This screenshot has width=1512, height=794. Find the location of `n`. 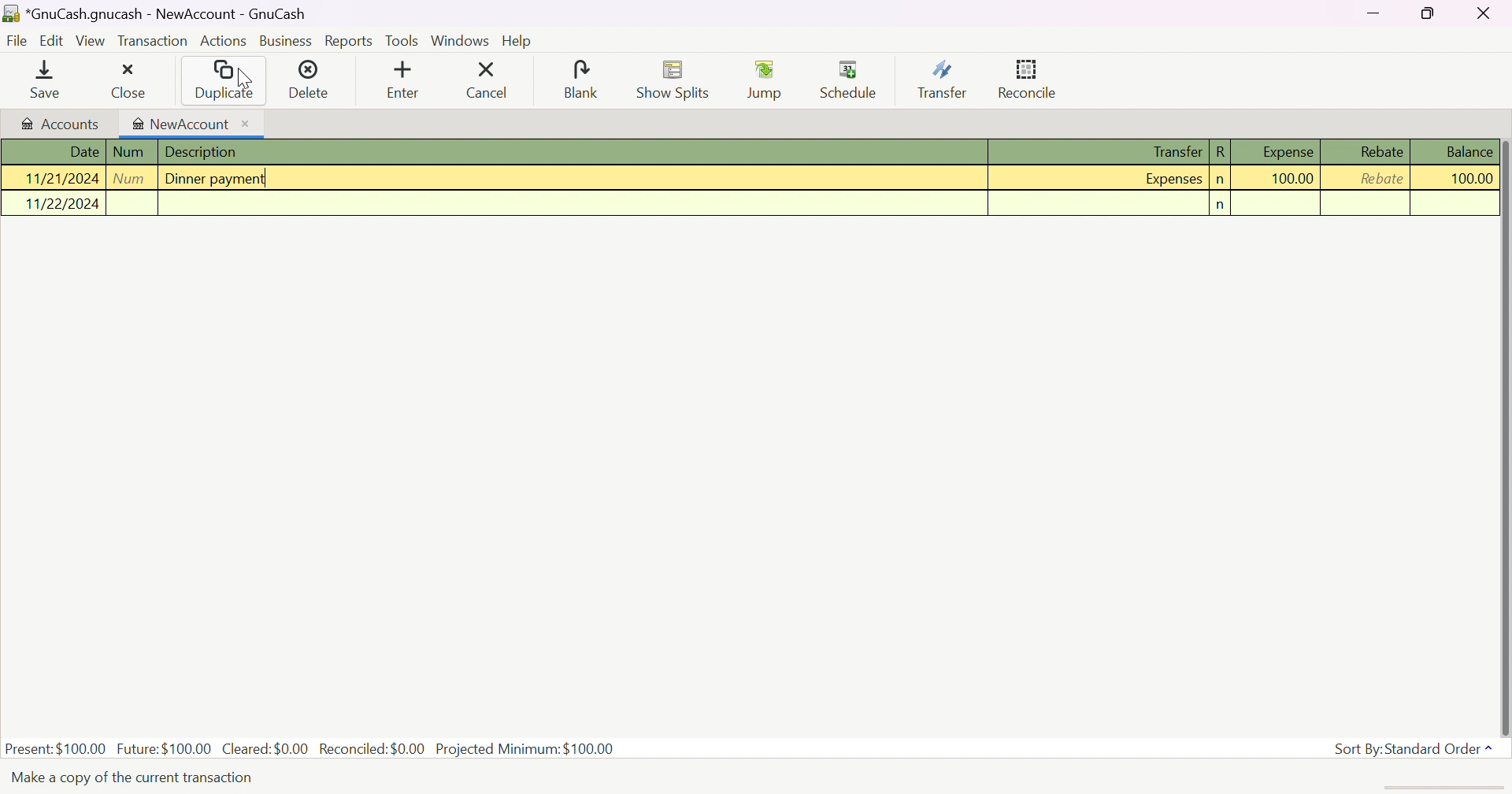

n is located at coordinates (1217, 181).